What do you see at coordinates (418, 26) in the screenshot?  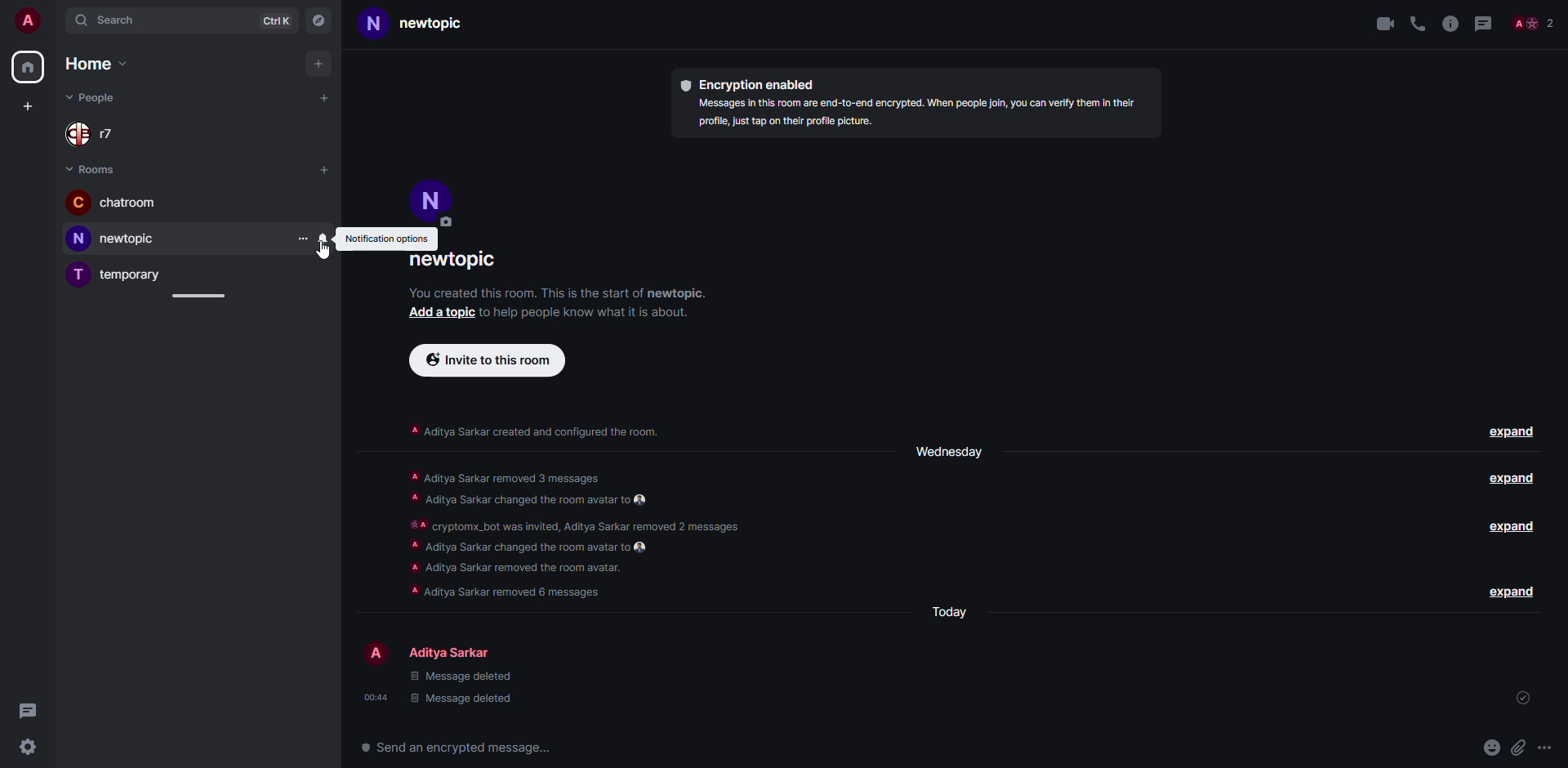 I see `room` at bounding box center [418, 26].